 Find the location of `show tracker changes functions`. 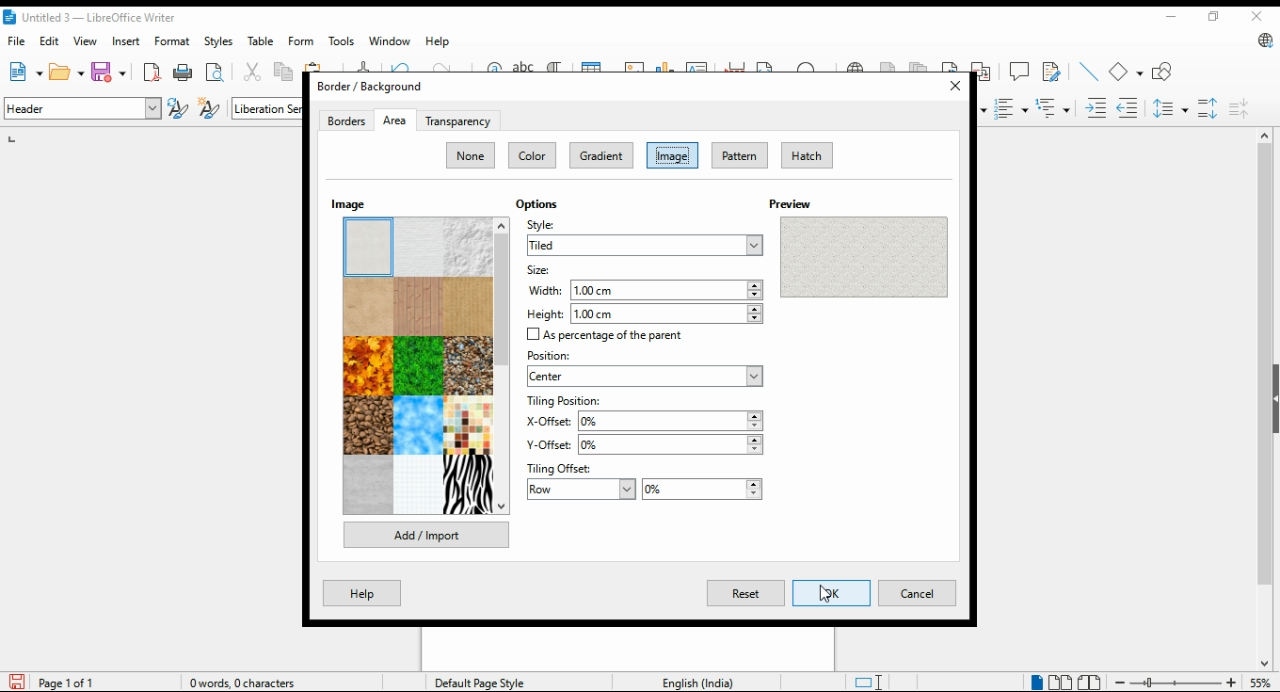

show tracker changes functions is located at coordinates (1054, 70).